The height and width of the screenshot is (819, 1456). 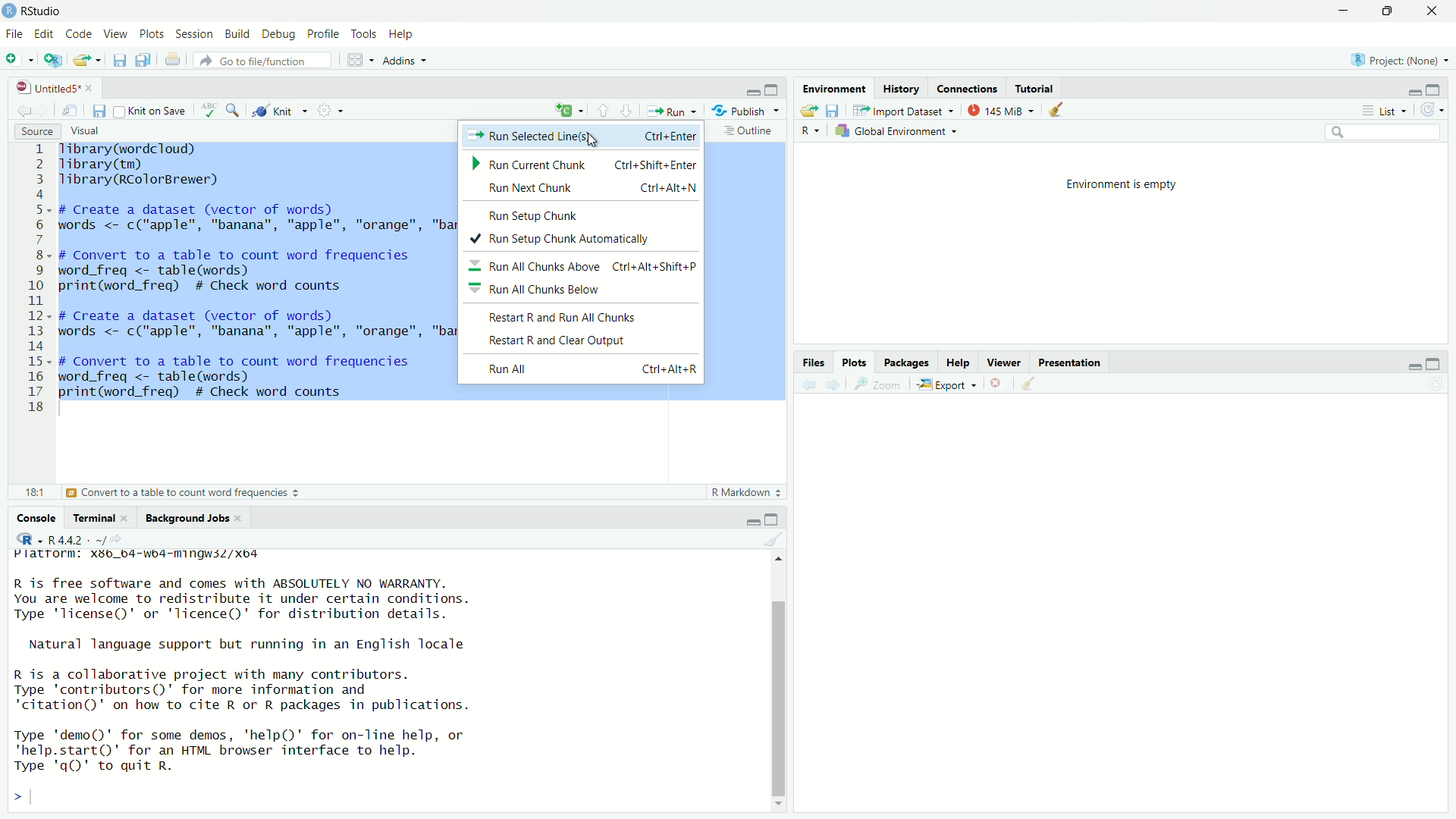 I want to click on Load Workspace, so click(x=810, y=111).